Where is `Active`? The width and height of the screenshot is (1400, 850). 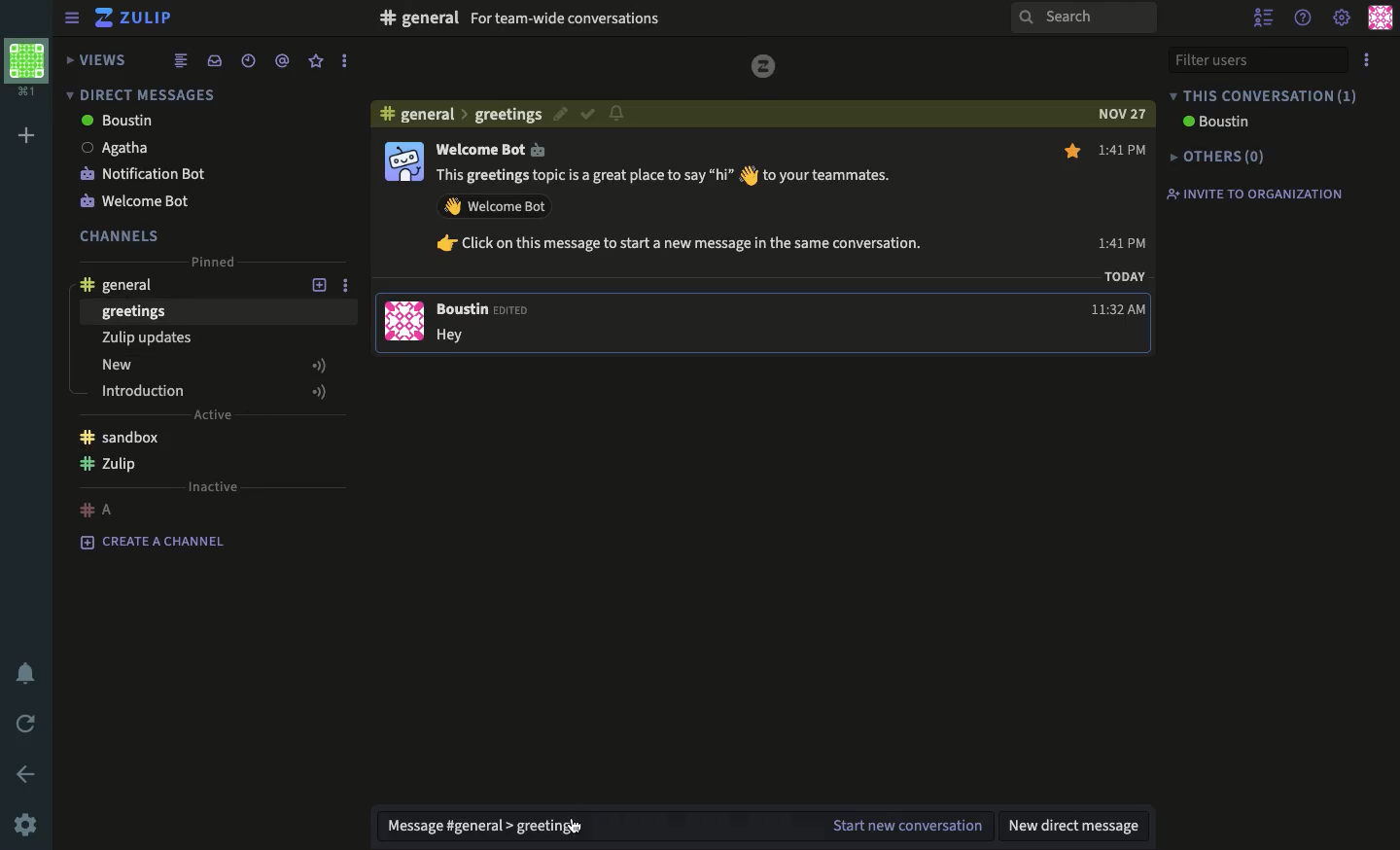
Active is located at coordinates (220, 413).